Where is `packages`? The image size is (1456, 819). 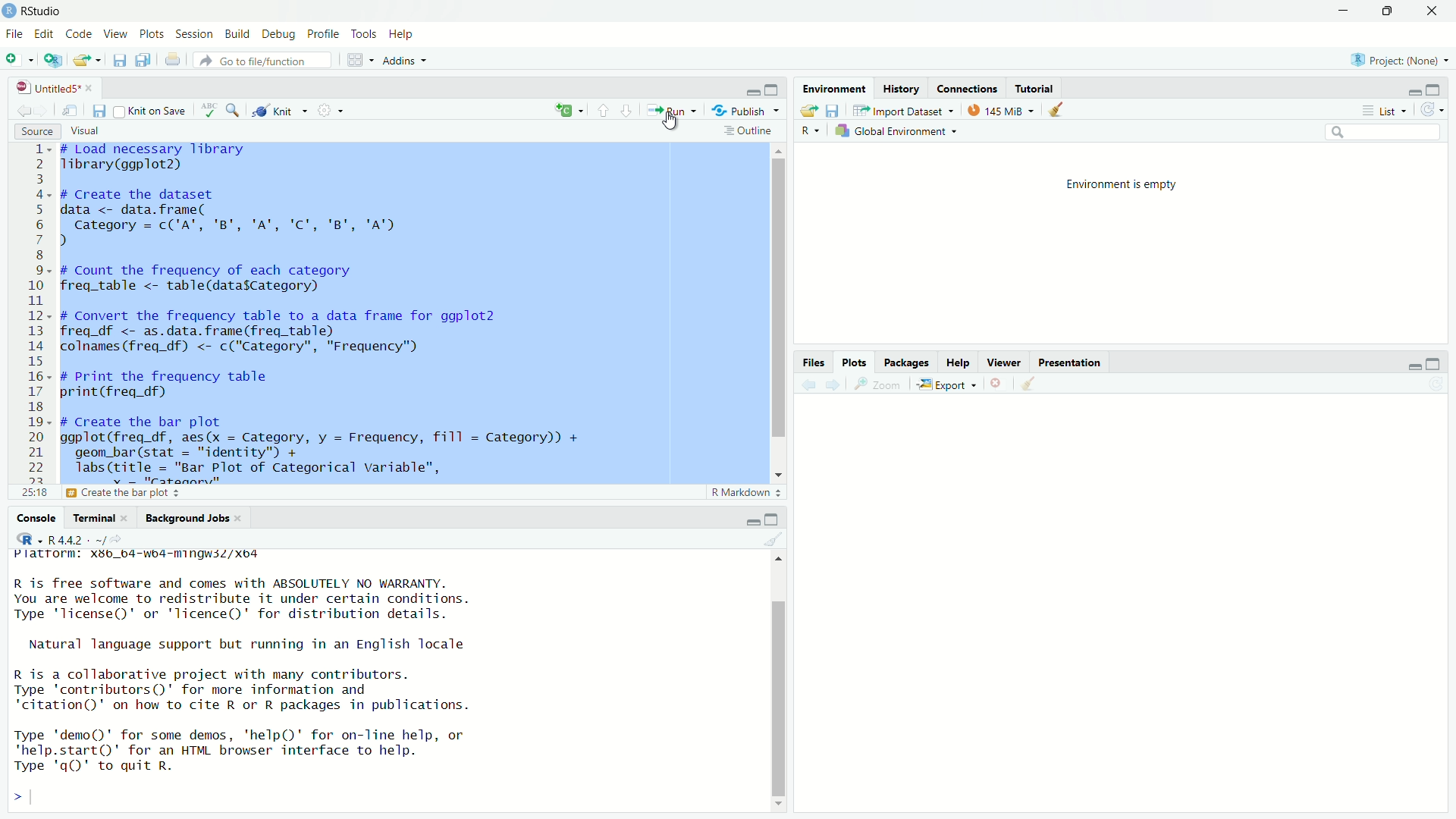
packages is located at coordinates (906, 362).